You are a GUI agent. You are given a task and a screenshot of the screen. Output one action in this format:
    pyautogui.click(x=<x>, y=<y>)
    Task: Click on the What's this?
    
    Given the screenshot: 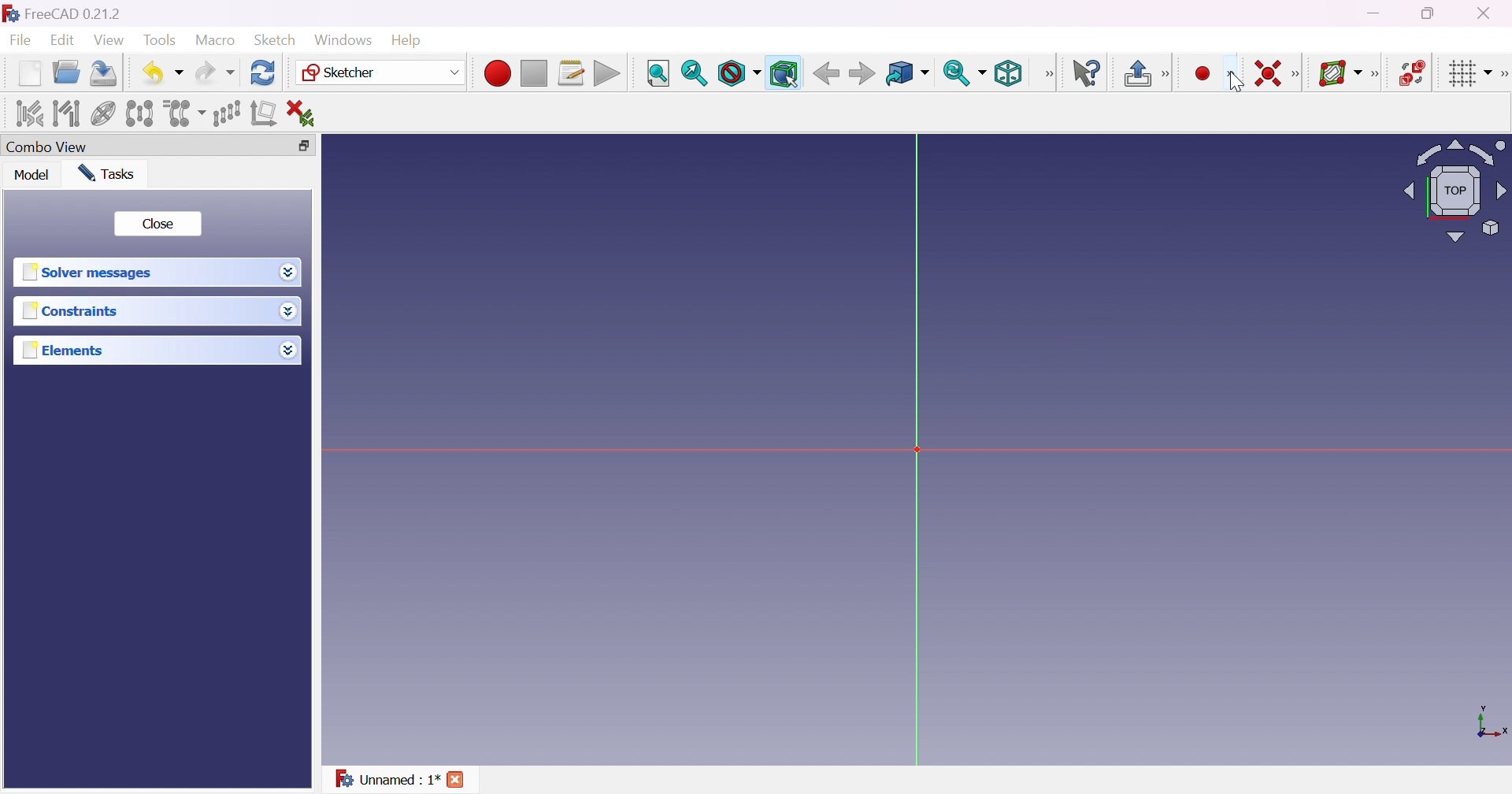 What is the action you would take?
    pyautogui.click(x=1088, y=73)
    